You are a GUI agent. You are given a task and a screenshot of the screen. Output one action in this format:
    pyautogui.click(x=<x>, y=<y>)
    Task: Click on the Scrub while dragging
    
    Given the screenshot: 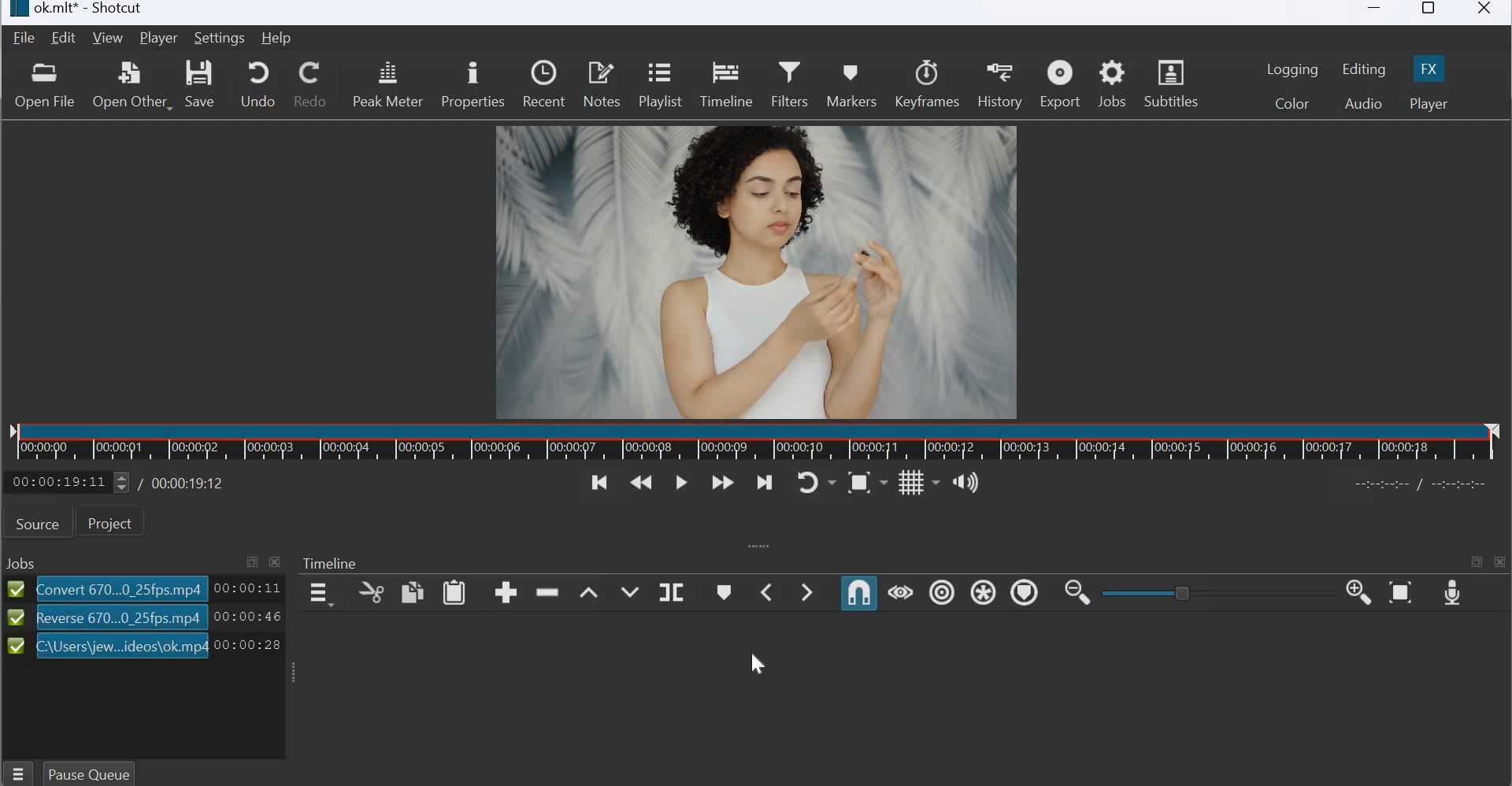 What is the action you would take?
    pyautogui.click(x=901, y=591)
    